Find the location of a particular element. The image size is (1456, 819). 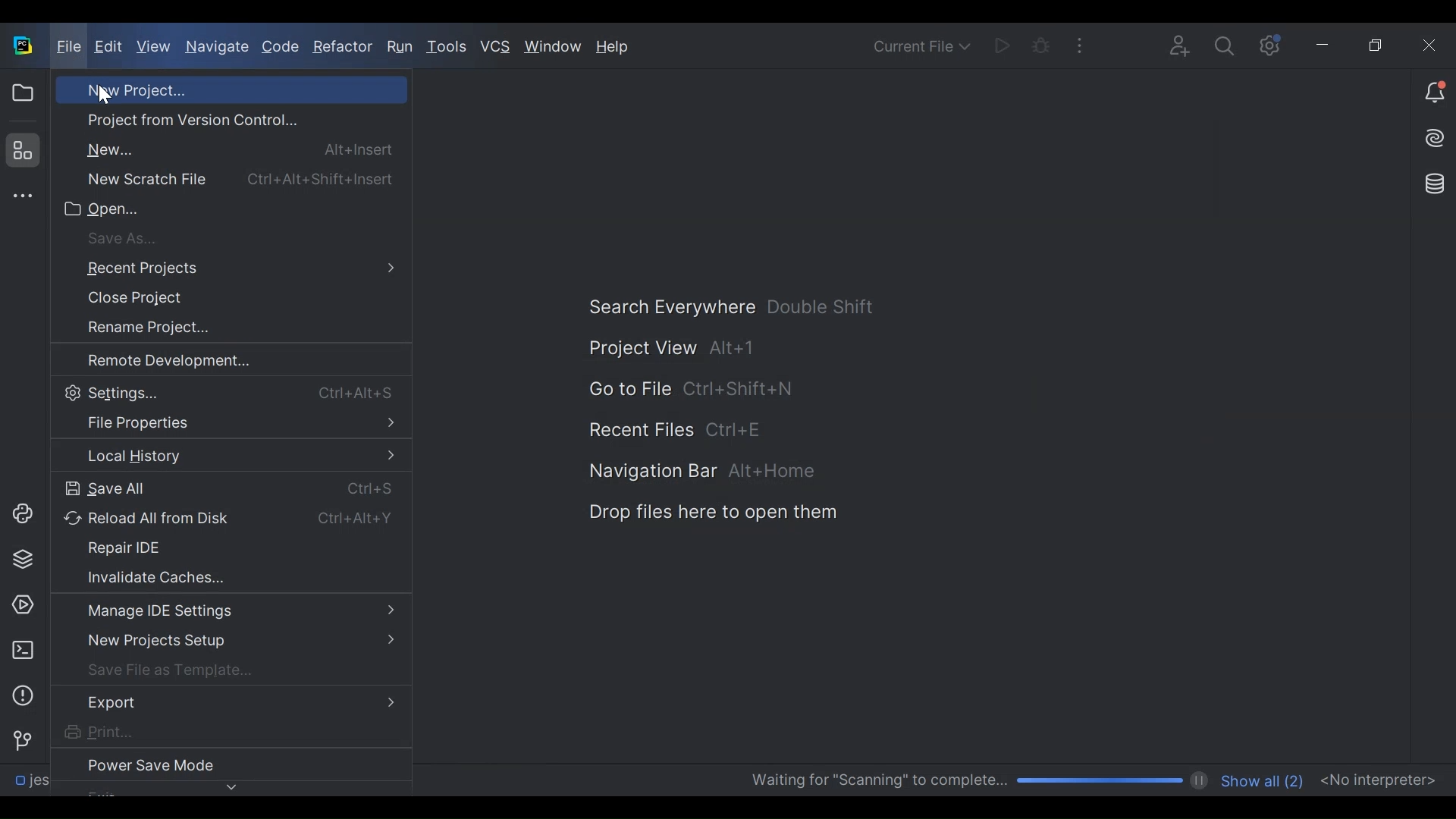

Recent Files is located at coordinates (643, 432).